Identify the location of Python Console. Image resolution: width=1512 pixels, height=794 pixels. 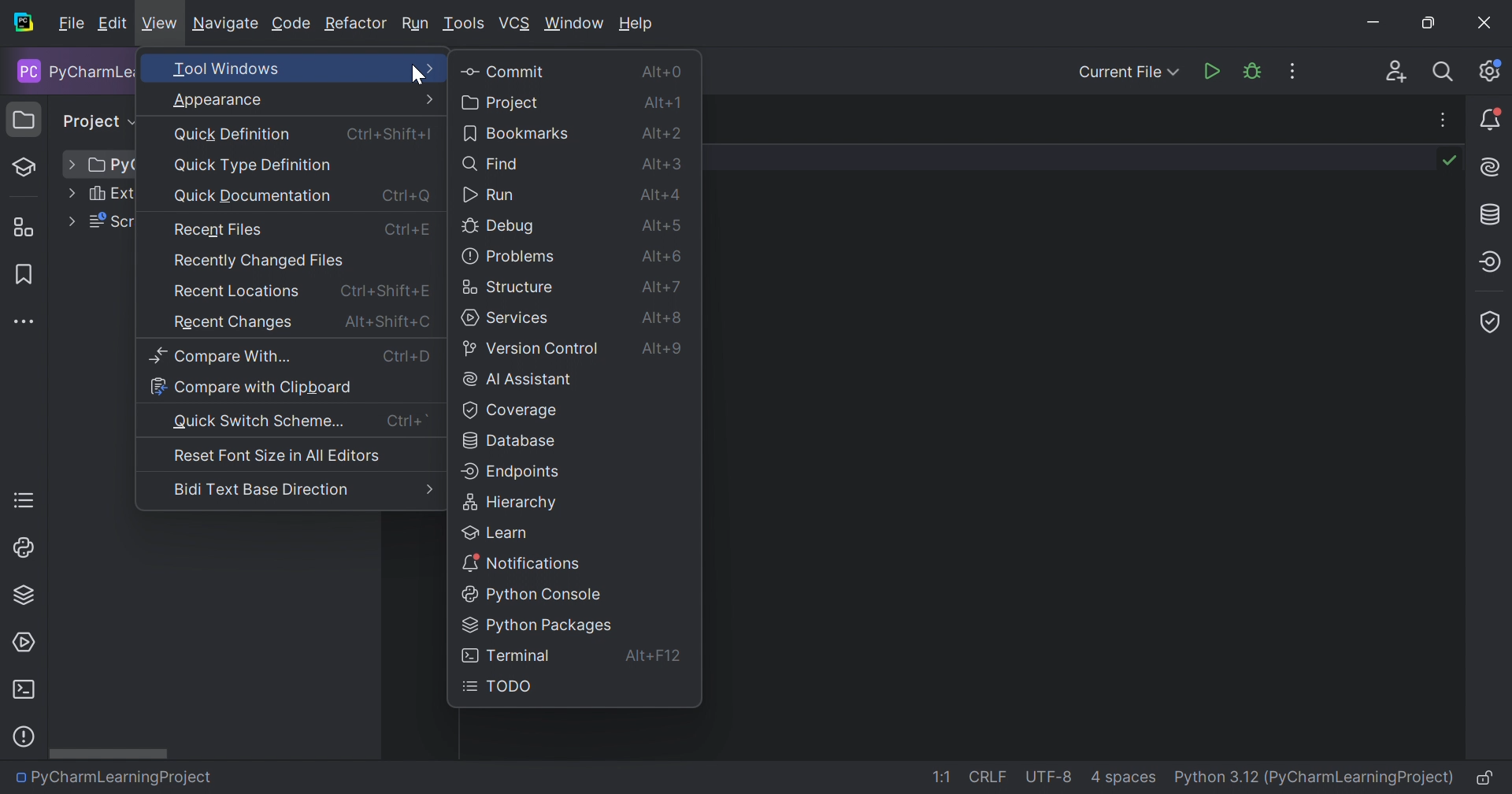
(526, 592).